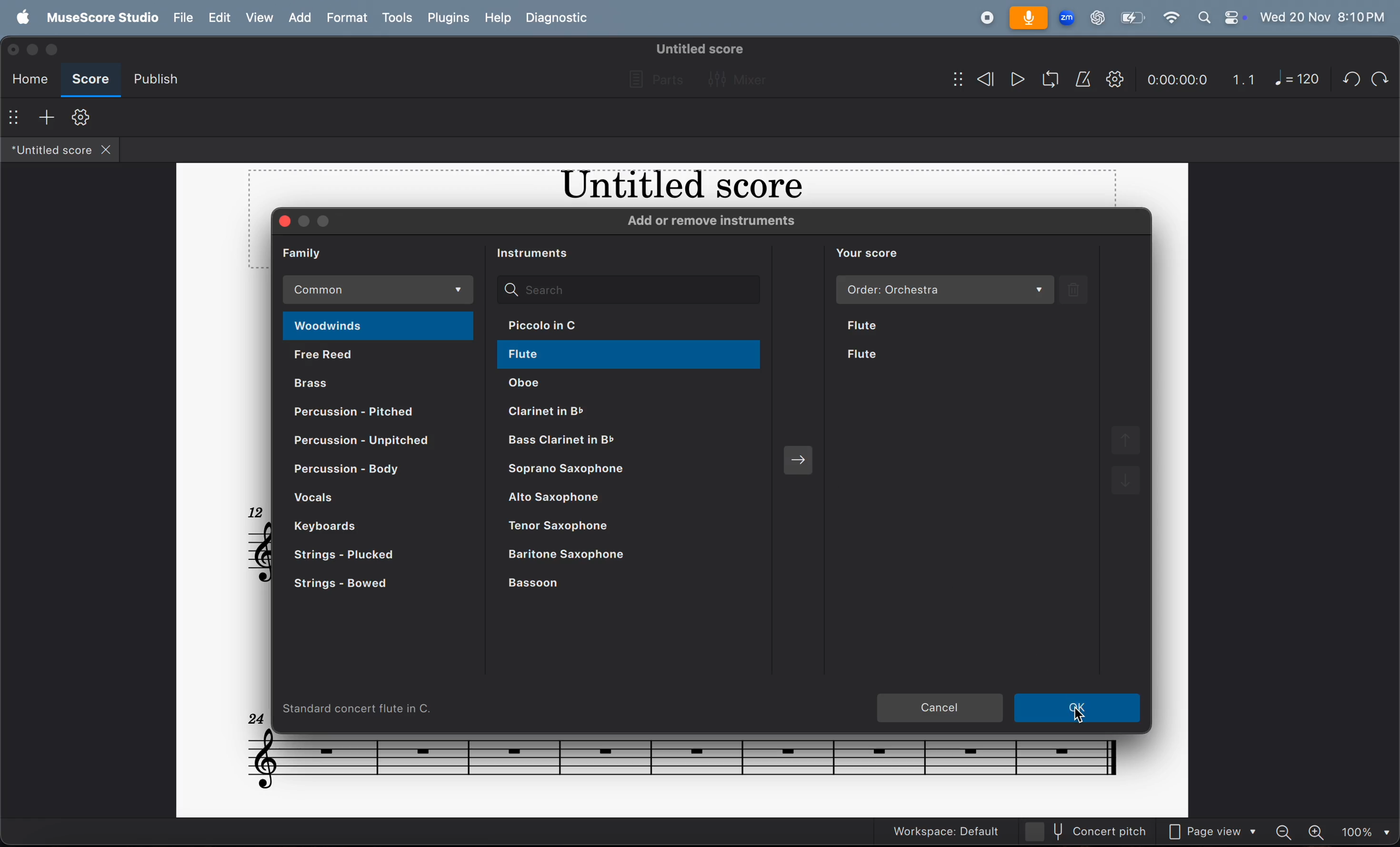 Image resolution: width=1400 pixels, height=847 pixels. Describe the element at coordinates (1178, 78) in the screenshot. I see `time frame` at that location.